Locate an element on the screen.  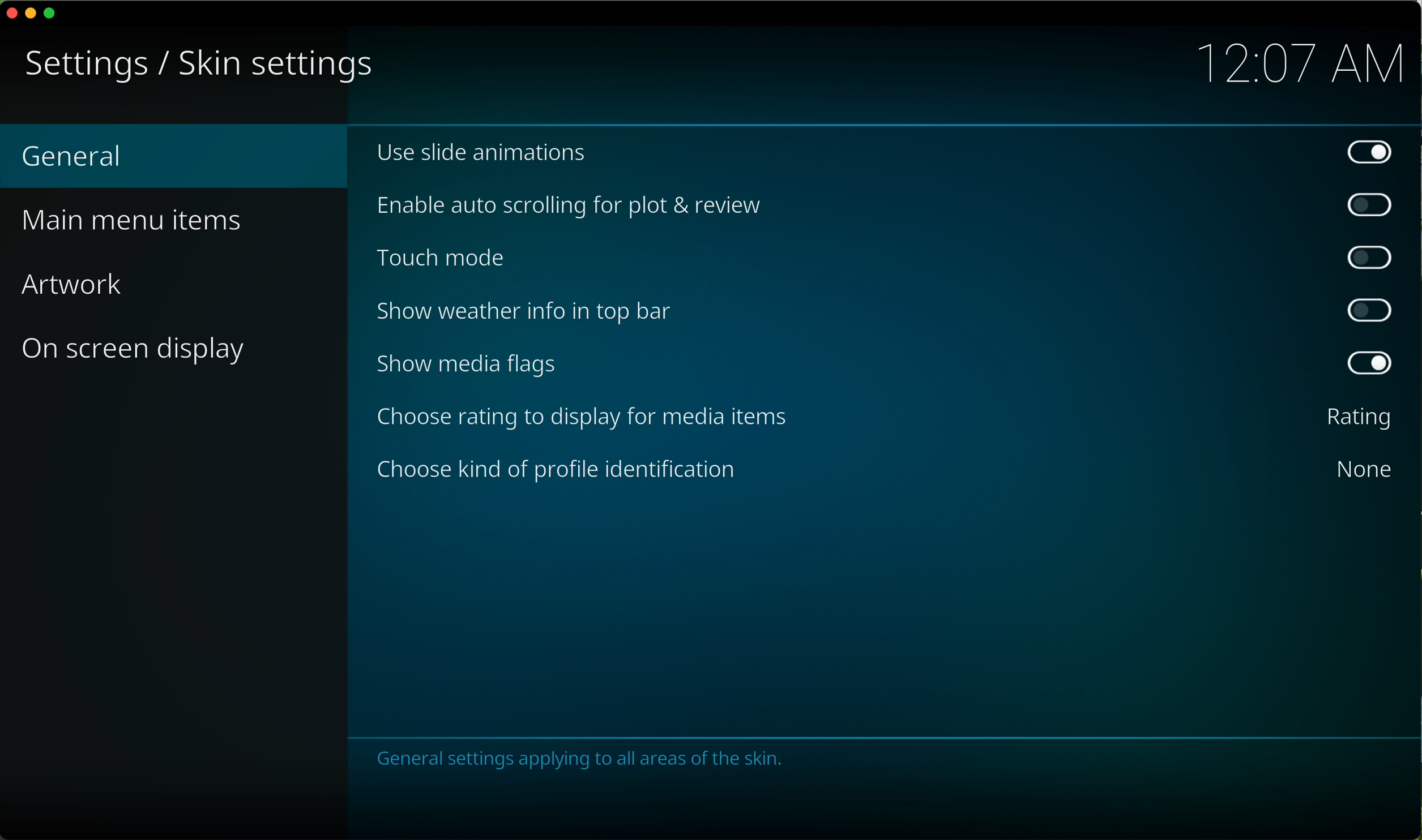
general is located at coordinates (74, 153).